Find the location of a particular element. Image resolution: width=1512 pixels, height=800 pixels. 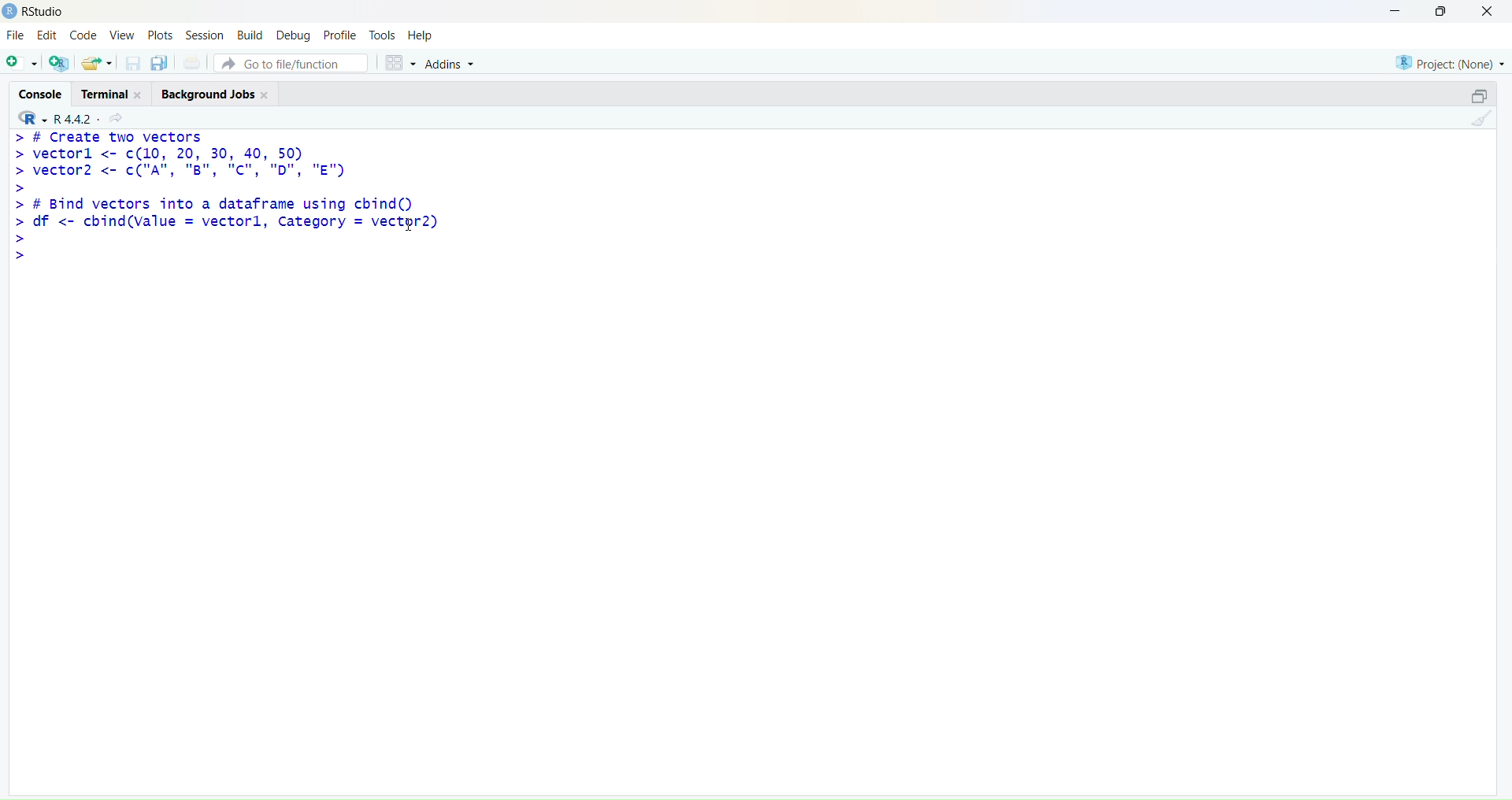

Edit is located at coordinates (48, 35).